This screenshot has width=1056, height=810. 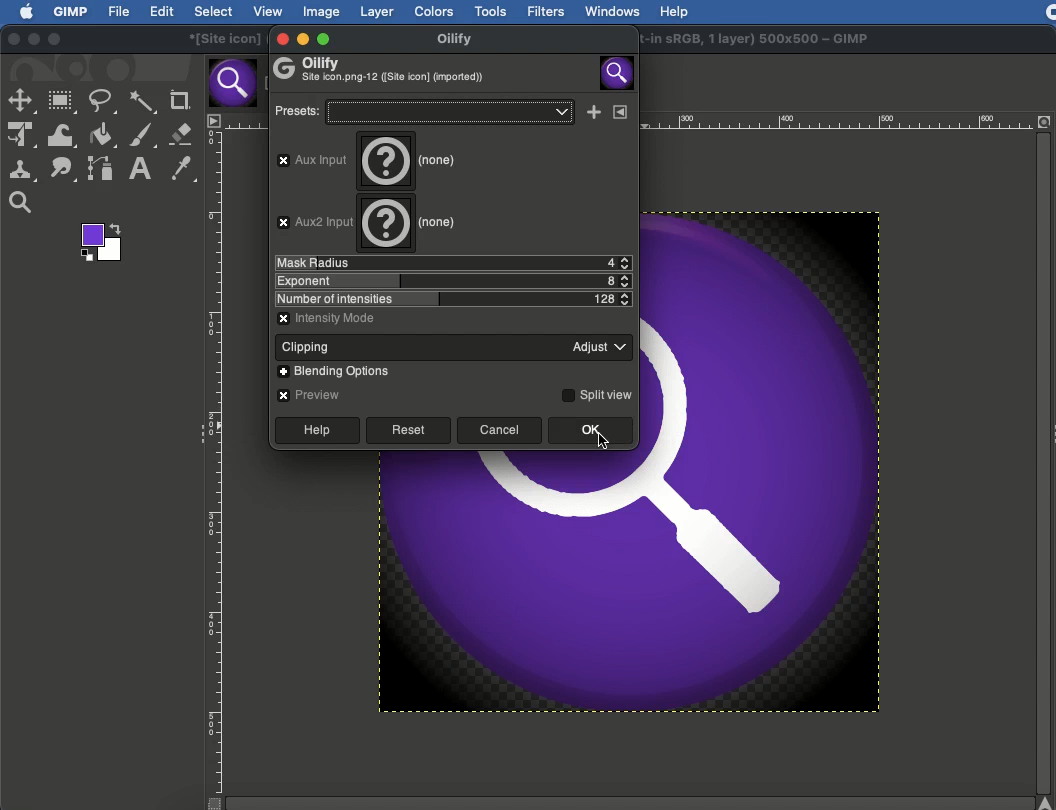 I want to click on GIMP project, so click(x=760, y=38).